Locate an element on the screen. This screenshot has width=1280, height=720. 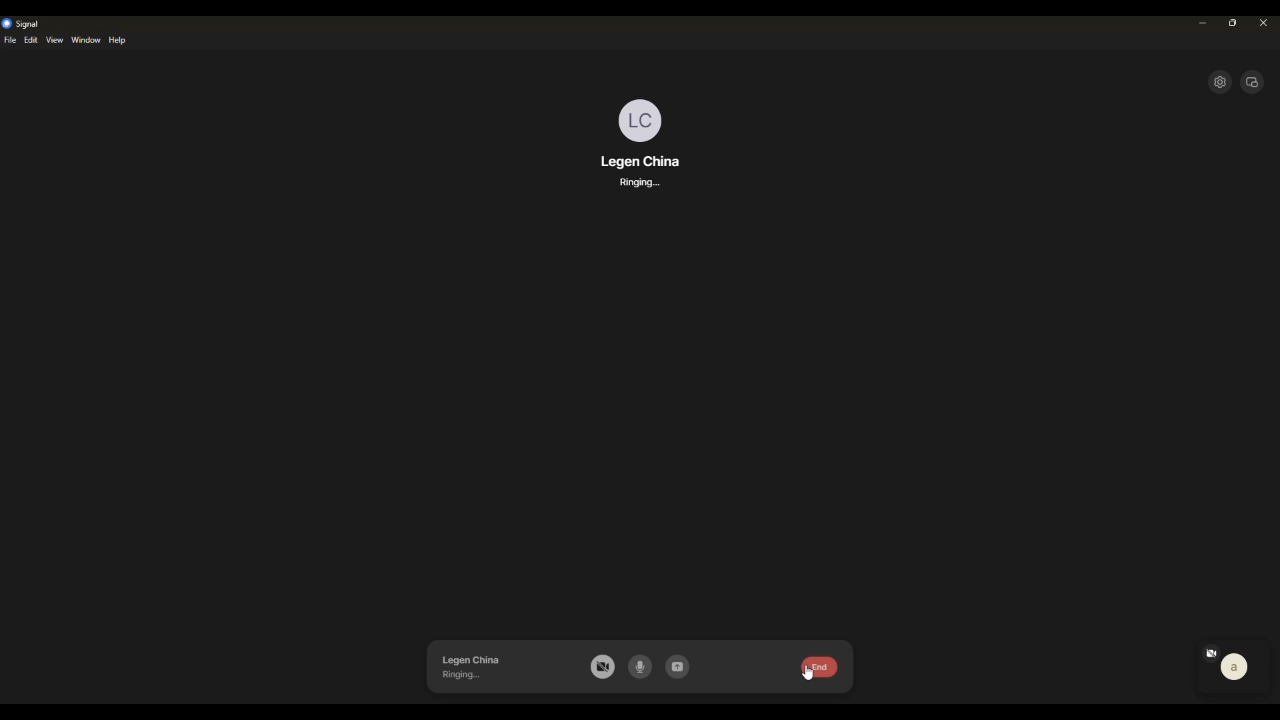
signal is located at coordinates (24, 24).